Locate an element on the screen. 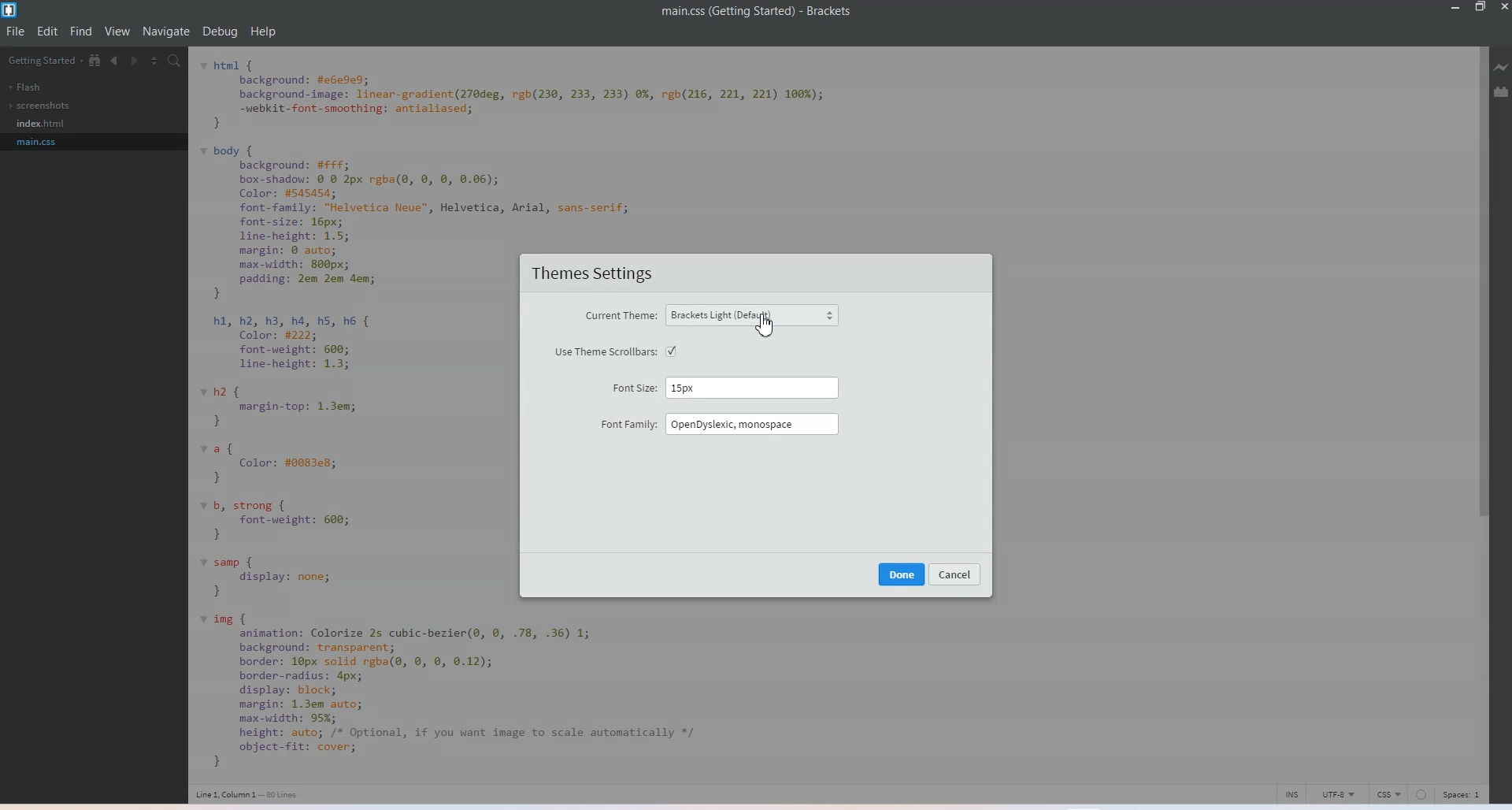 This screenshot has height=810, width=1512. cursor is located at coordinates (769, 329).